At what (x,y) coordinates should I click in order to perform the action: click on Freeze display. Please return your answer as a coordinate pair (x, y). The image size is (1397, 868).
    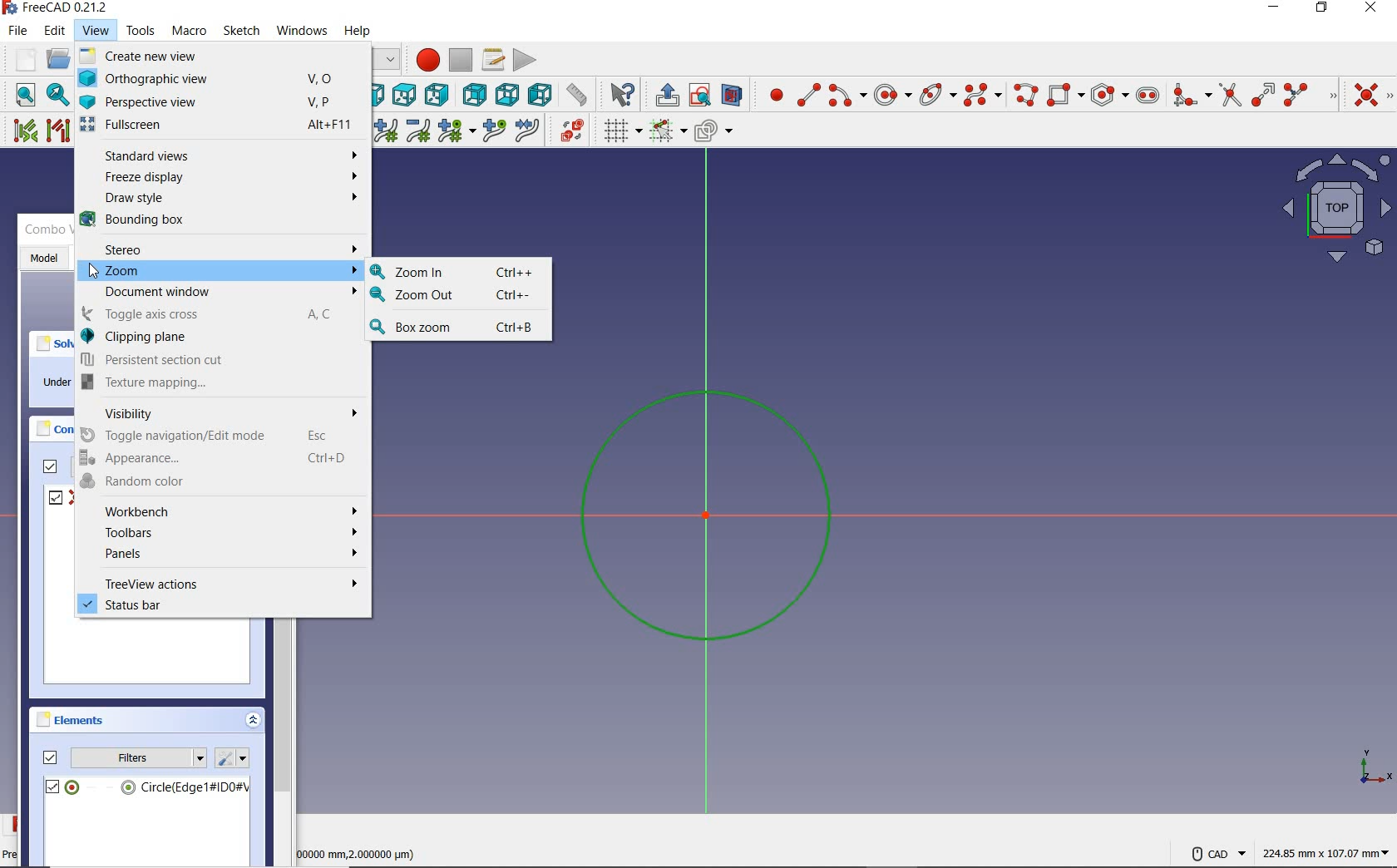
    Looking at the image, I should click on (232, 177).